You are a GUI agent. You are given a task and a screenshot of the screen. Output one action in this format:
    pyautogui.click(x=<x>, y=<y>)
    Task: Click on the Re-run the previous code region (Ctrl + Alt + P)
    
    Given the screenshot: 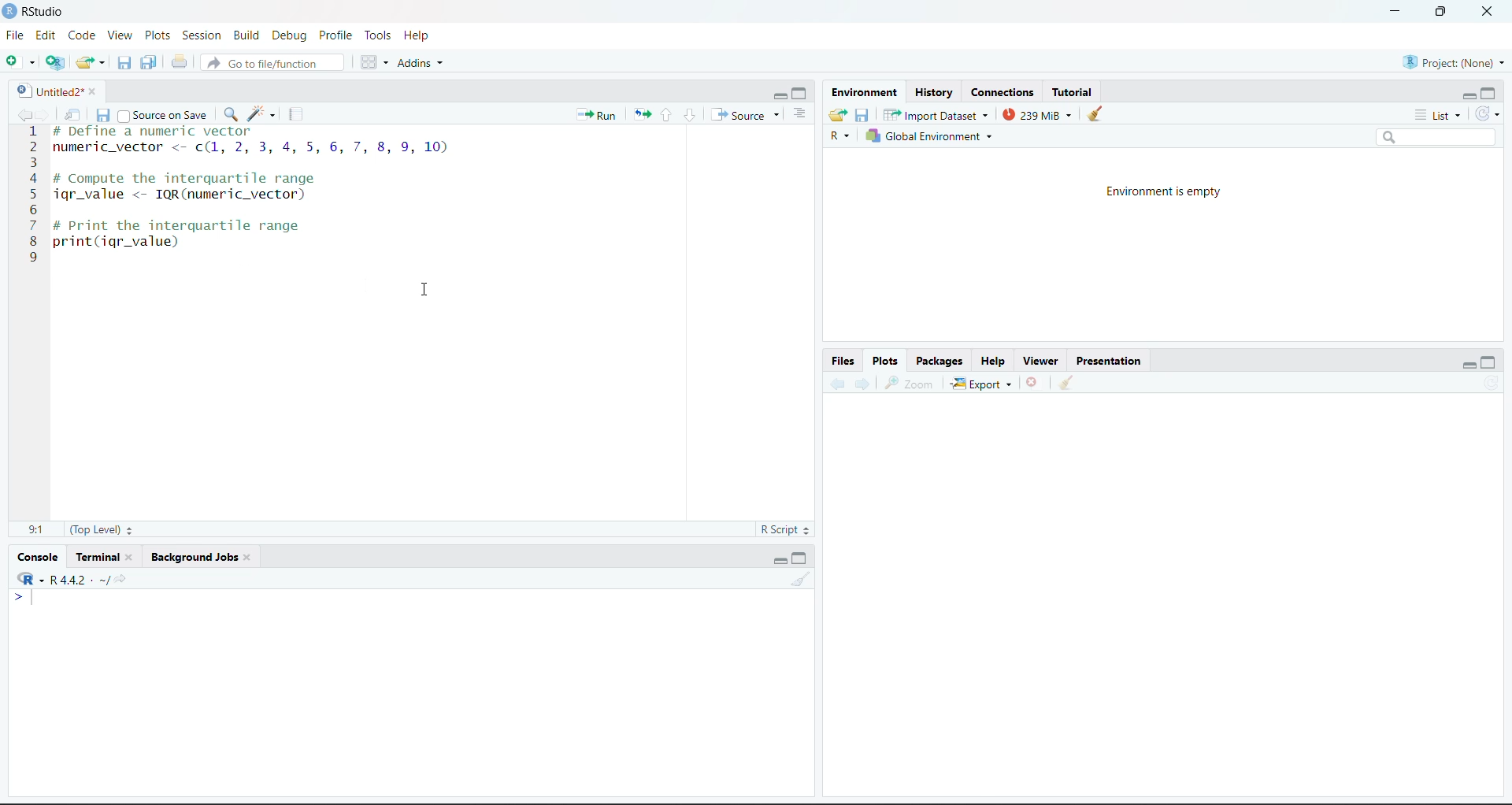 What is the action you would take?
    pyautogui.click(x=642, y=114)
    